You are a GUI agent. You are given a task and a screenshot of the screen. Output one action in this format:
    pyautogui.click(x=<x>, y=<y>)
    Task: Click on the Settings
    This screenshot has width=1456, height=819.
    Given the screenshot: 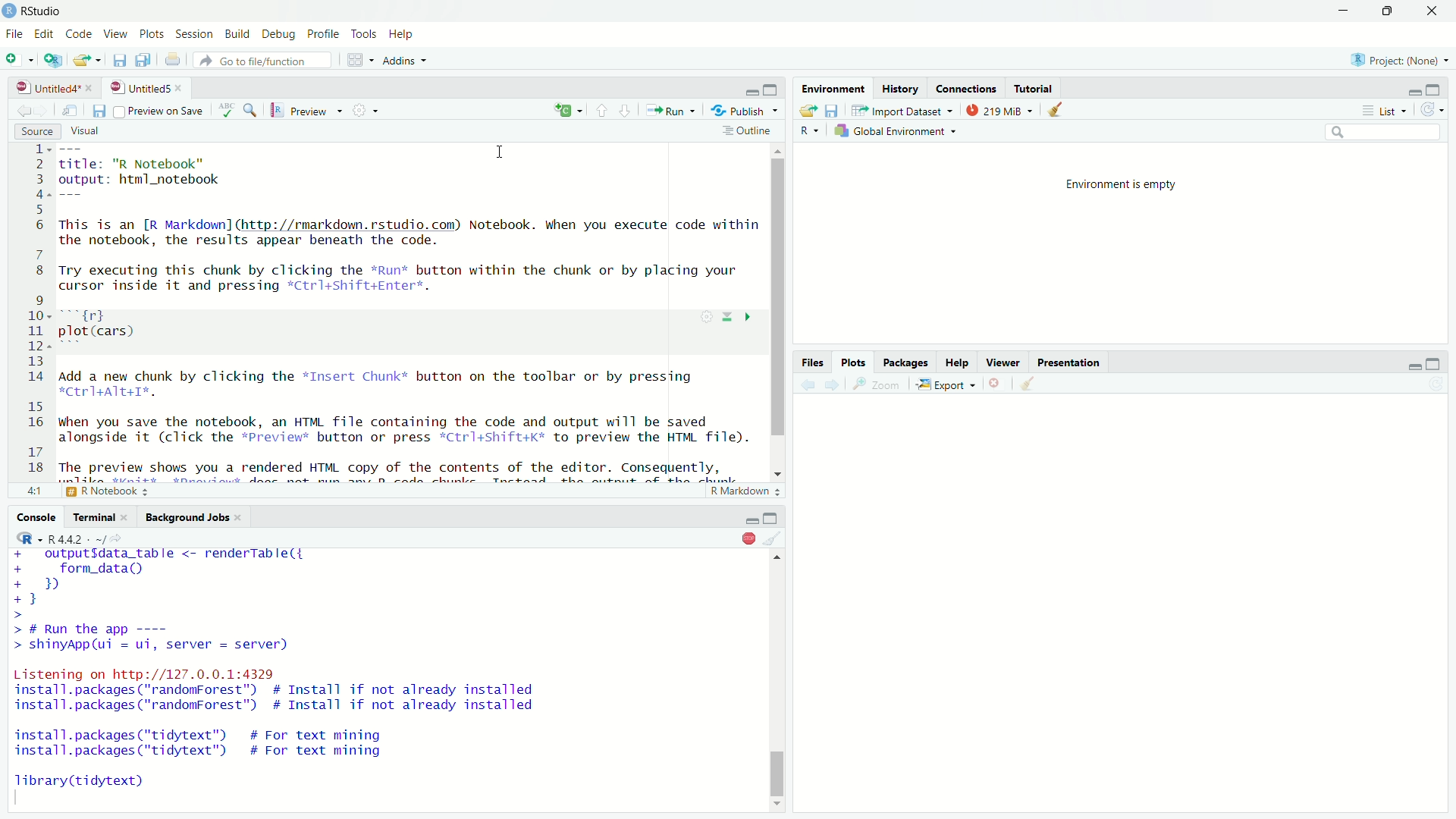 What is the action you would take?
    pyautogui.click(x=367, y=111)
    